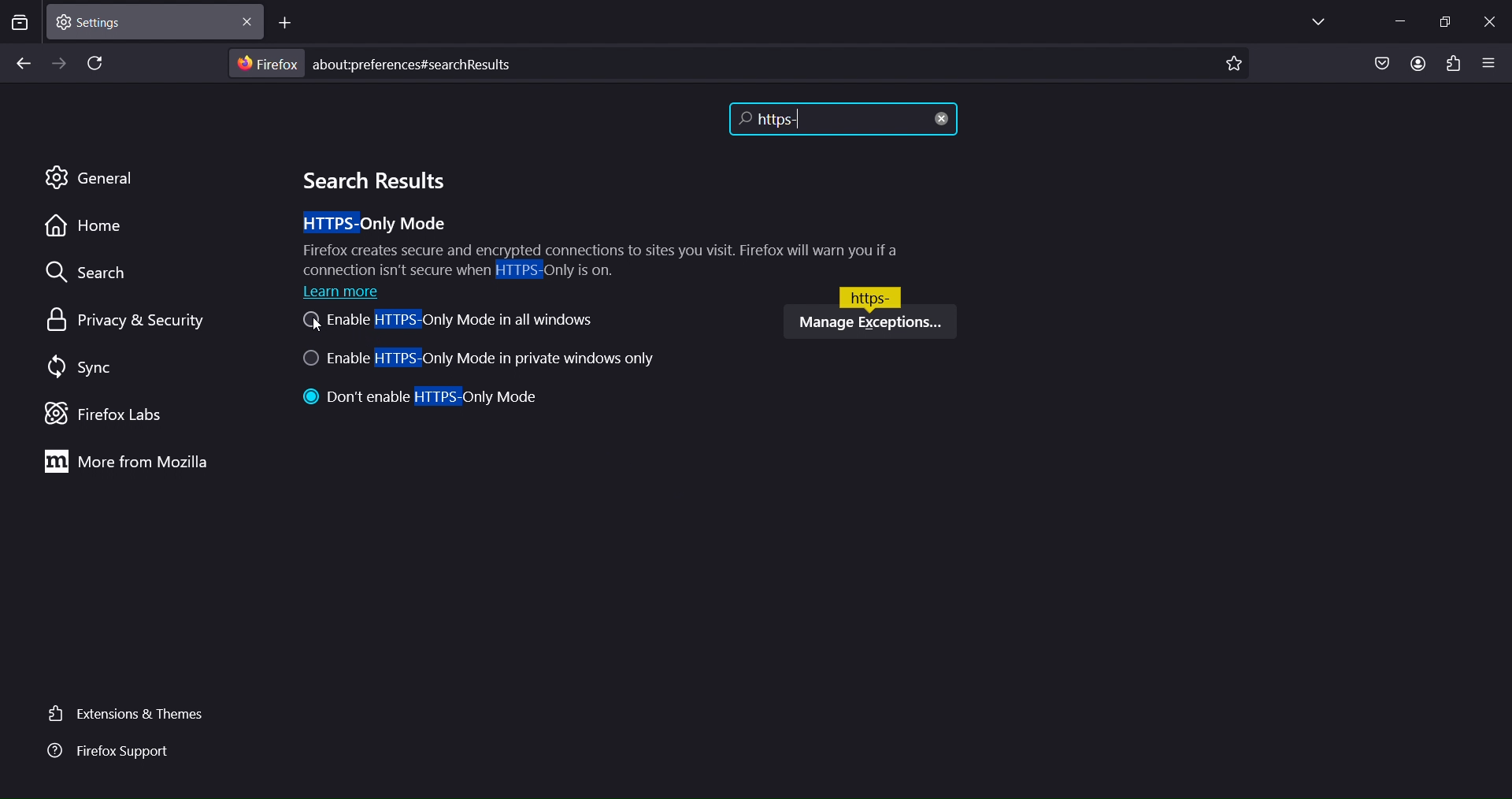 This screenshot has height=799, width=1512. What do you see at coordinates (116, 413) in the screenshot?
I see `firefox labs` at bounding box center [116, 413].